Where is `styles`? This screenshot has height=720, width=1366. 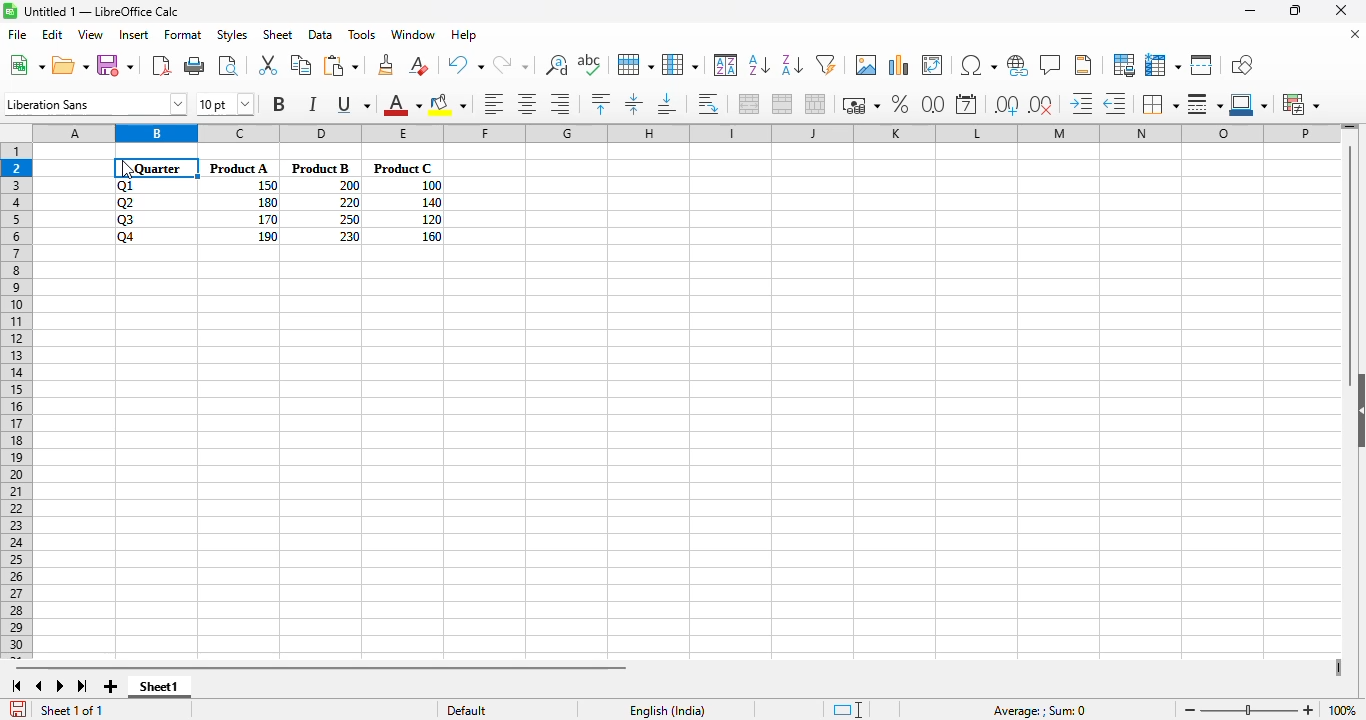 styles is located at coordinates (232, 35).